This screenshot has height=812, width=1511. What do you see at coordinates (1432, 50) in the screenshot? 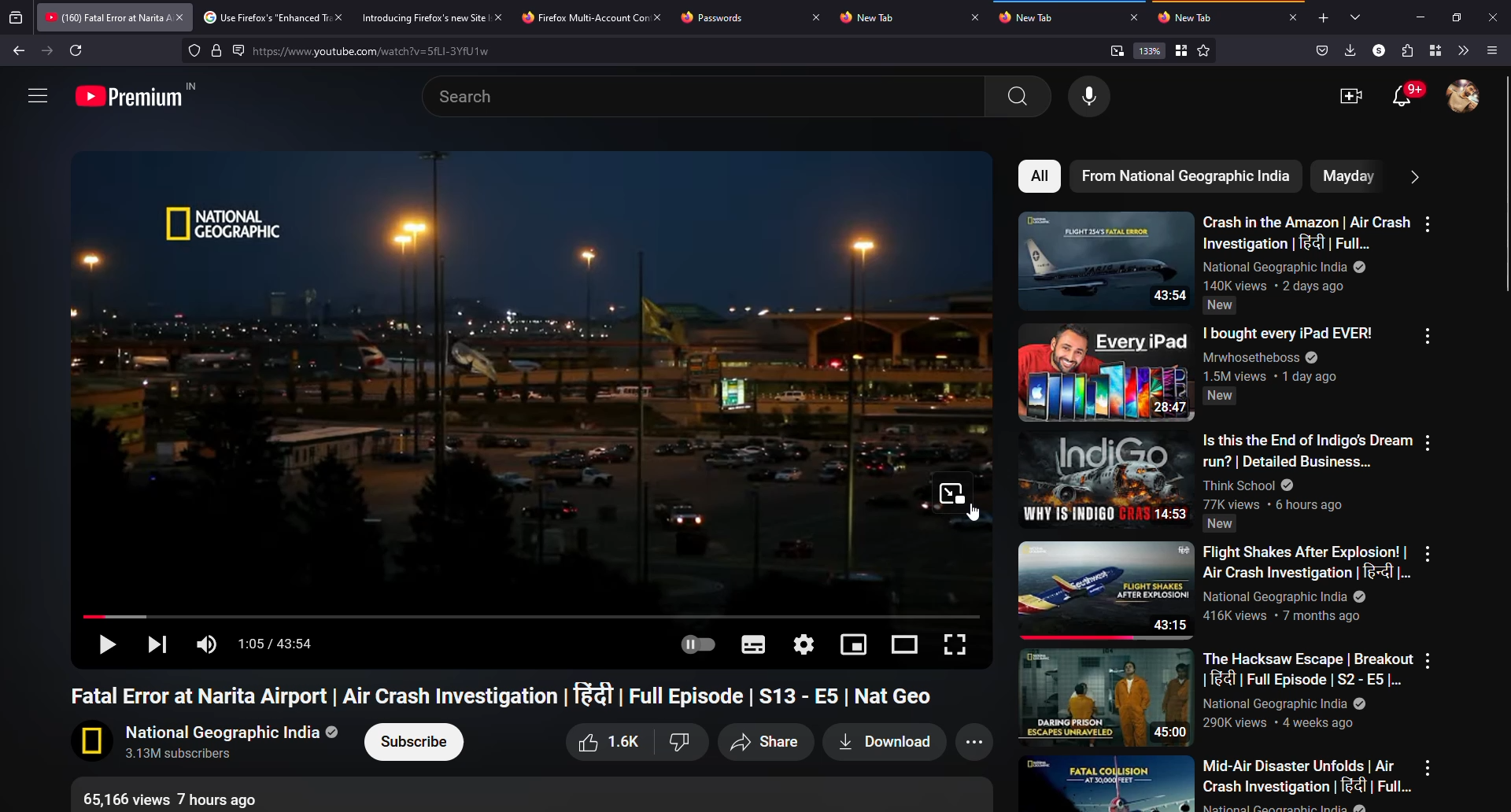
I see `container` at bounding box center [1432, 50].